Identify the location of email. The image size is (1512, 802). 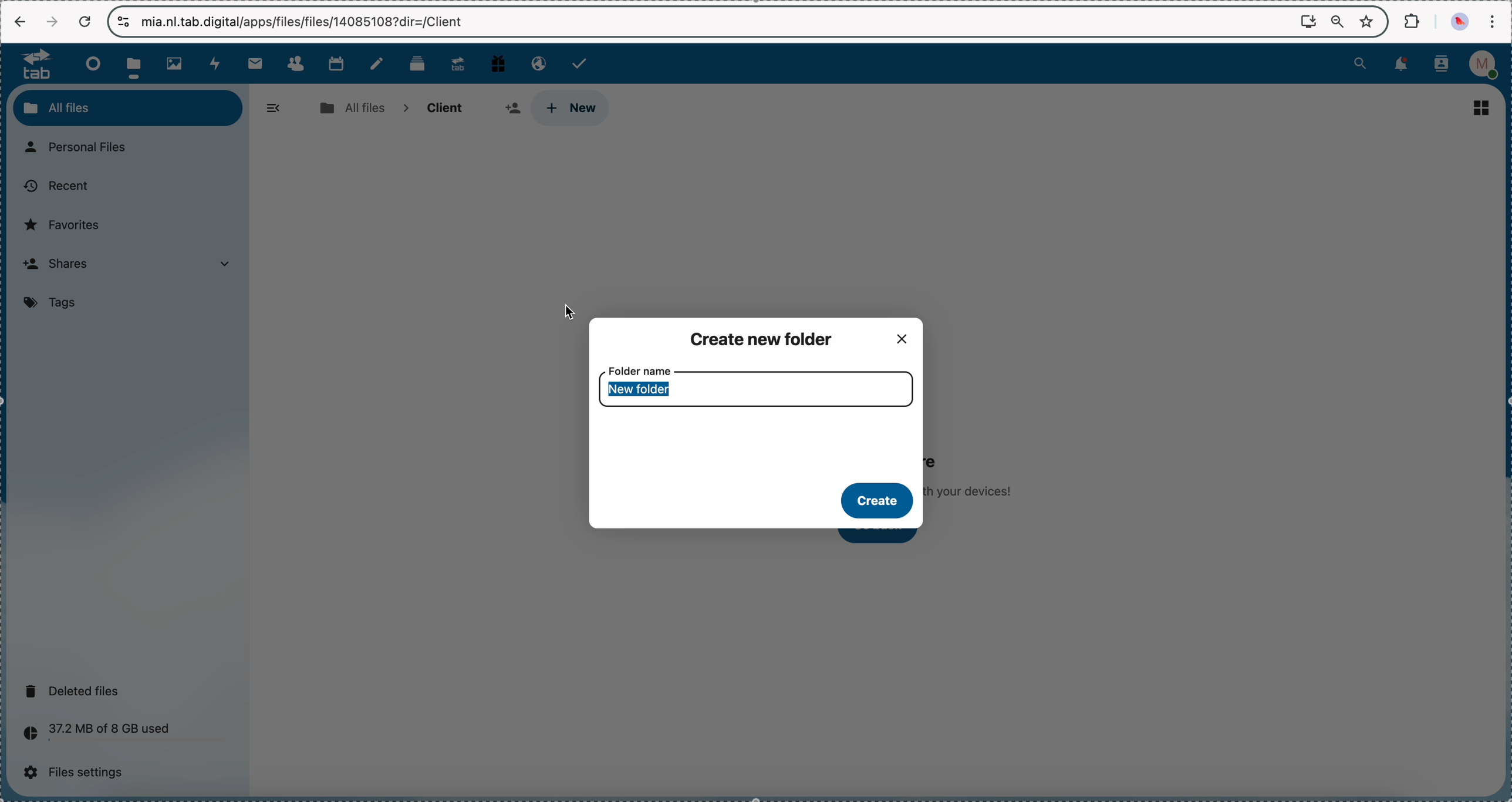
(536, 62).